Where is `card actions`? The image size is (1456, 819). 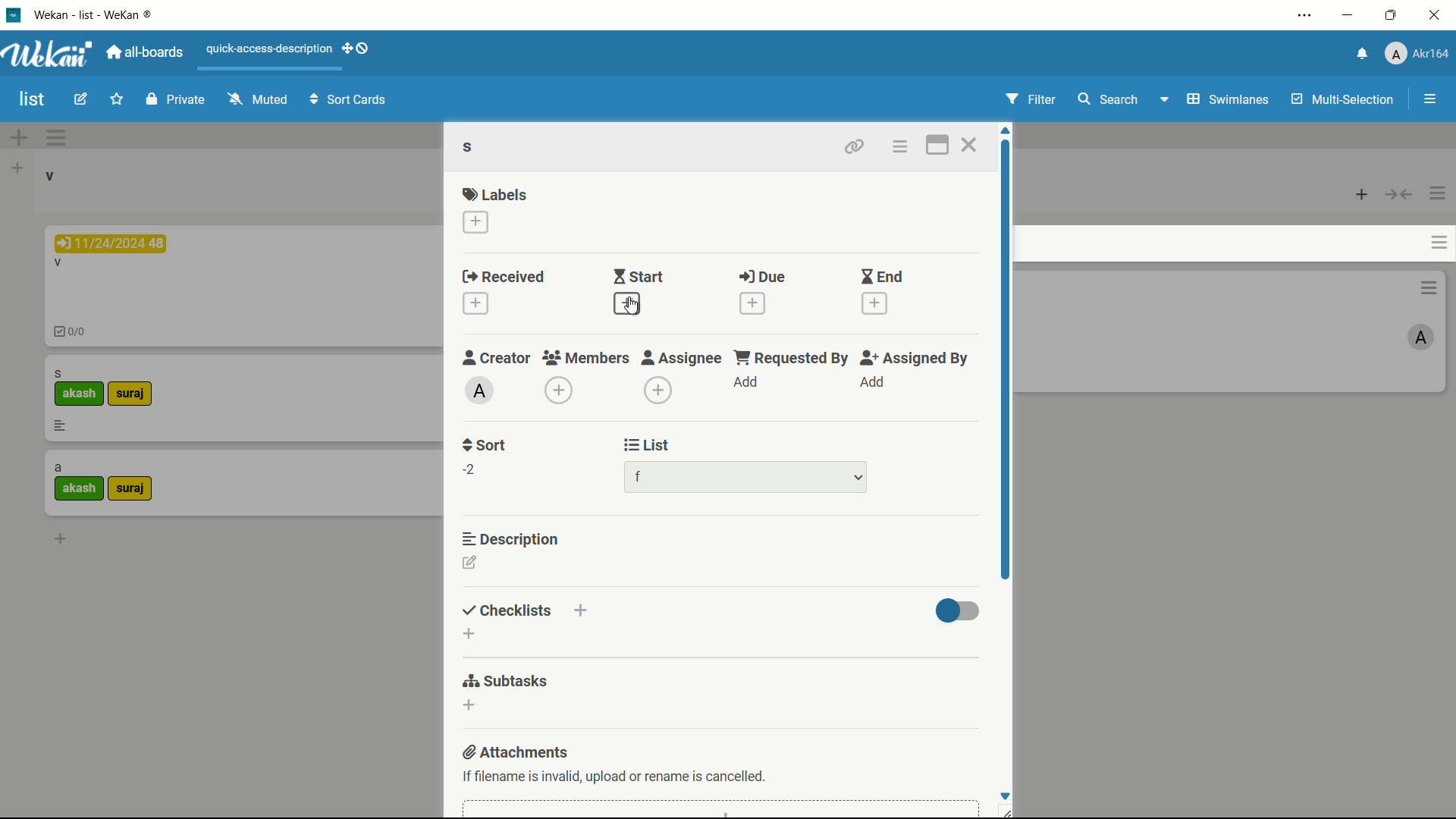 card actions is located at coordinates (900, 149).